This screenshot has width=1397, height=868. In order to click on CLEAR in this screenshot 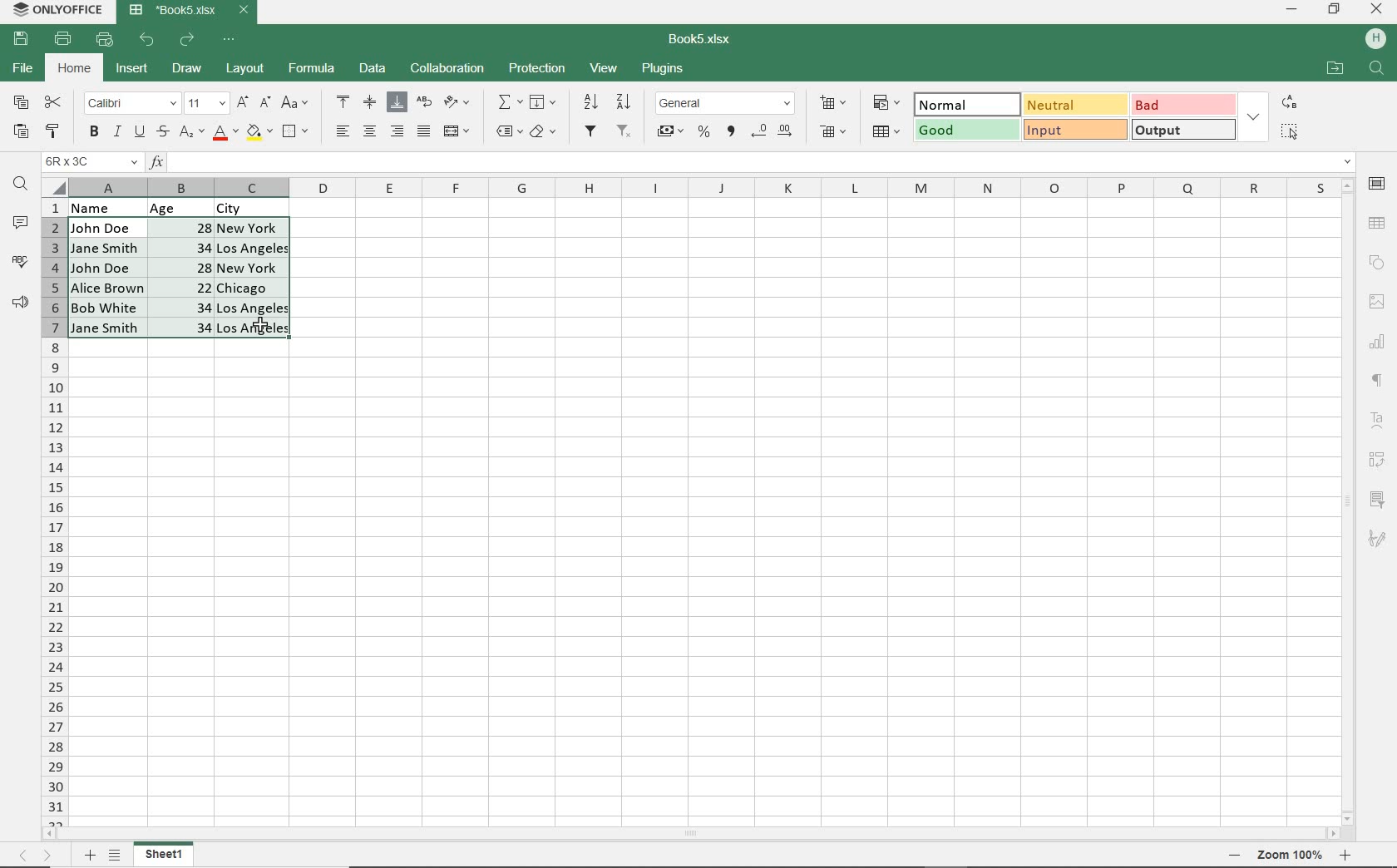, I will do `click(542, 134)`.